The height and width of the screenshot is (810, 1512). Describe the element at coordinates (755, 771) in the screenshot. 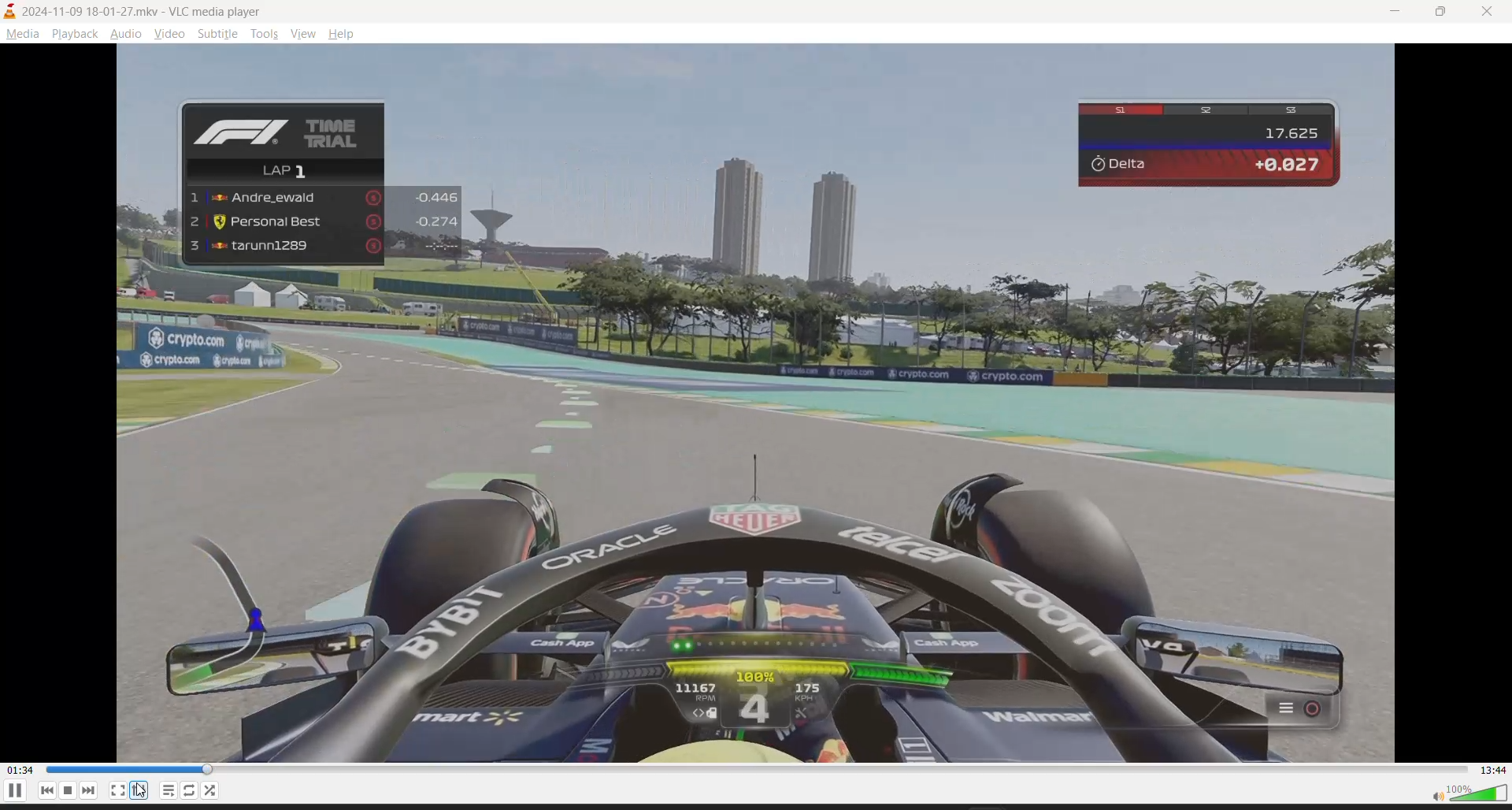

I see `track slider` at that location.